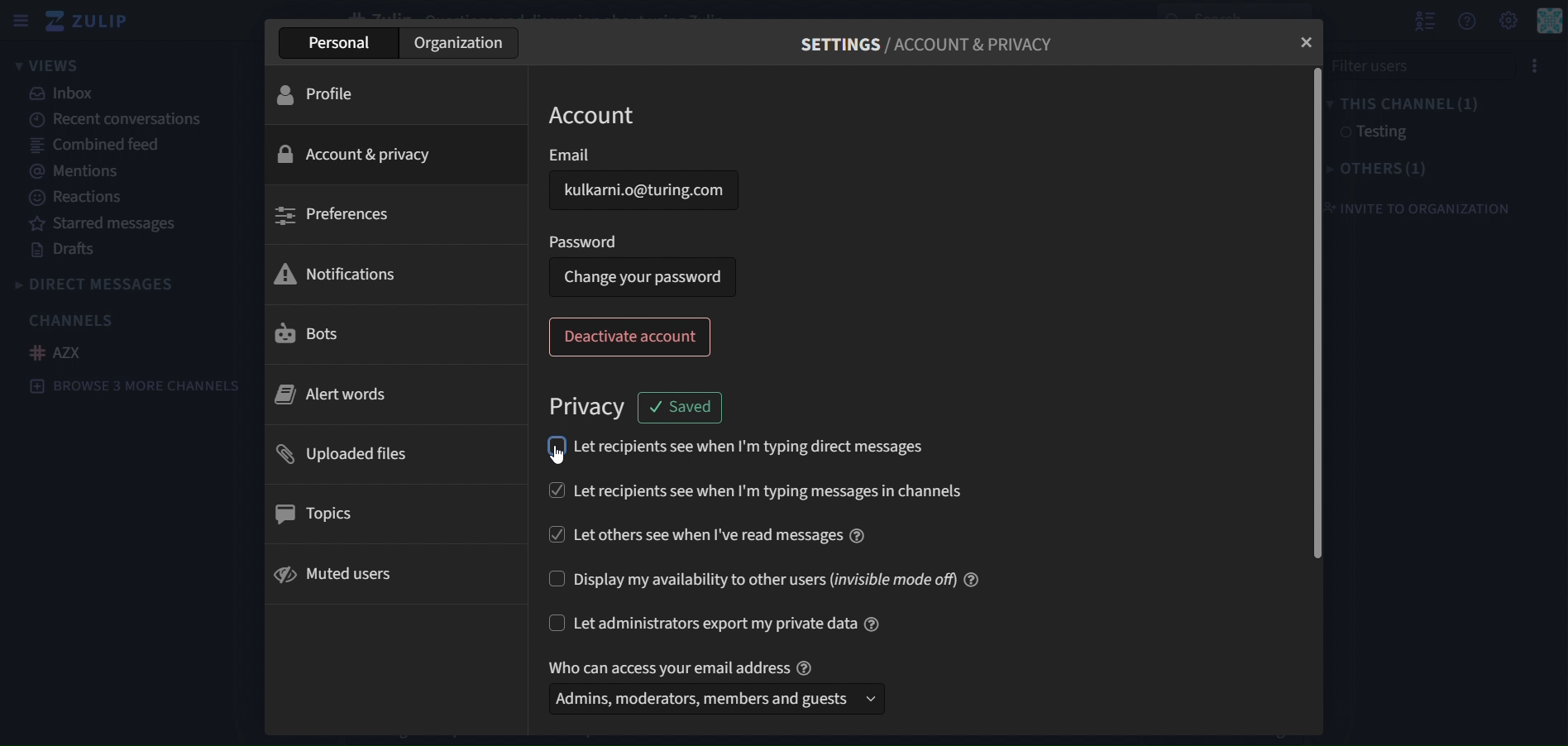 The height and width of the screenshot is (746, 1568). I want to click on others, so click(1384, 171).